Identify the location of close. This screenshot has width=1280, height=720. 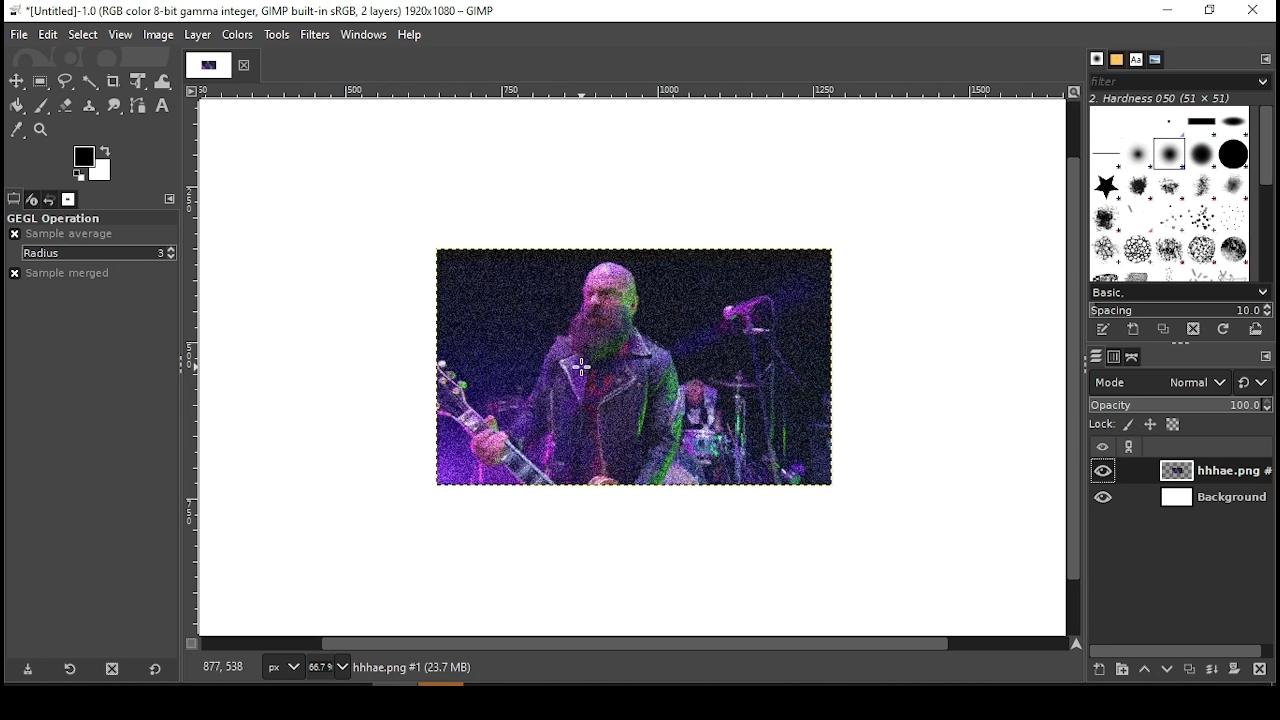
(245, 65).